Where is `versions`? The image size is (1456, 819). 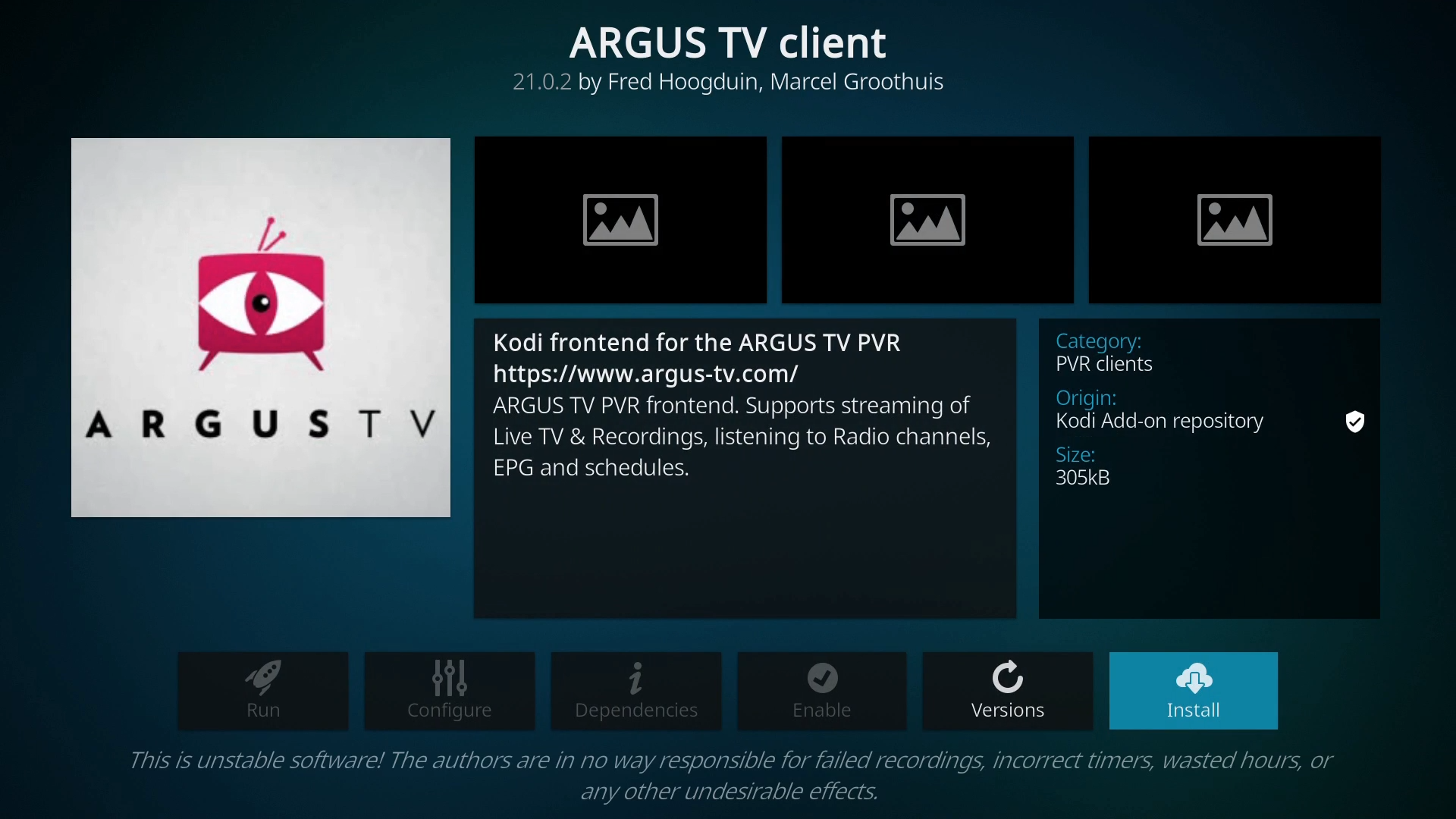
versions is located at coordinates (1009, 689).